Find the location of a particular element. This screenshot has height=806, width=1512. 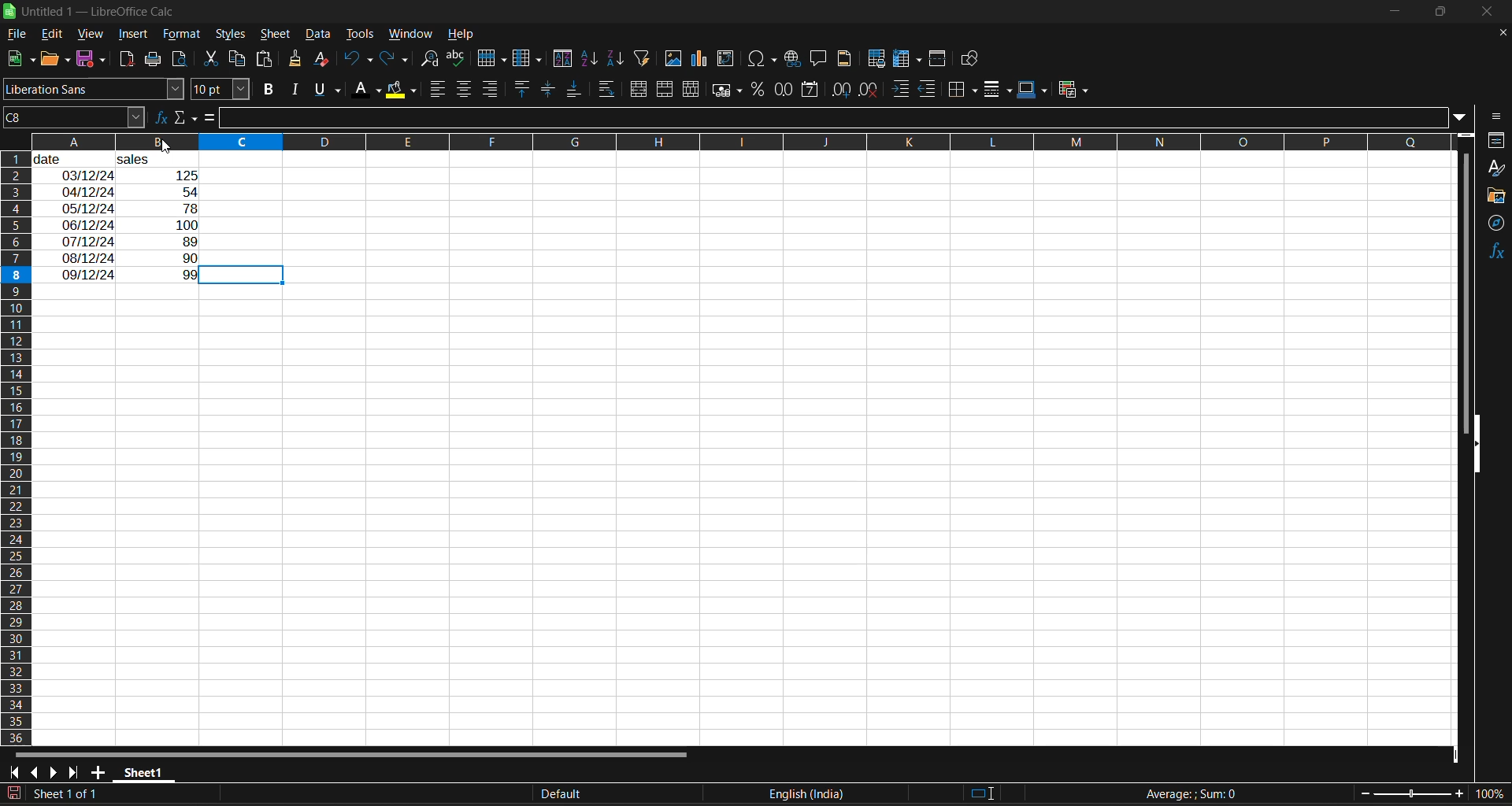

properties is located at coordinates (1496, 140).